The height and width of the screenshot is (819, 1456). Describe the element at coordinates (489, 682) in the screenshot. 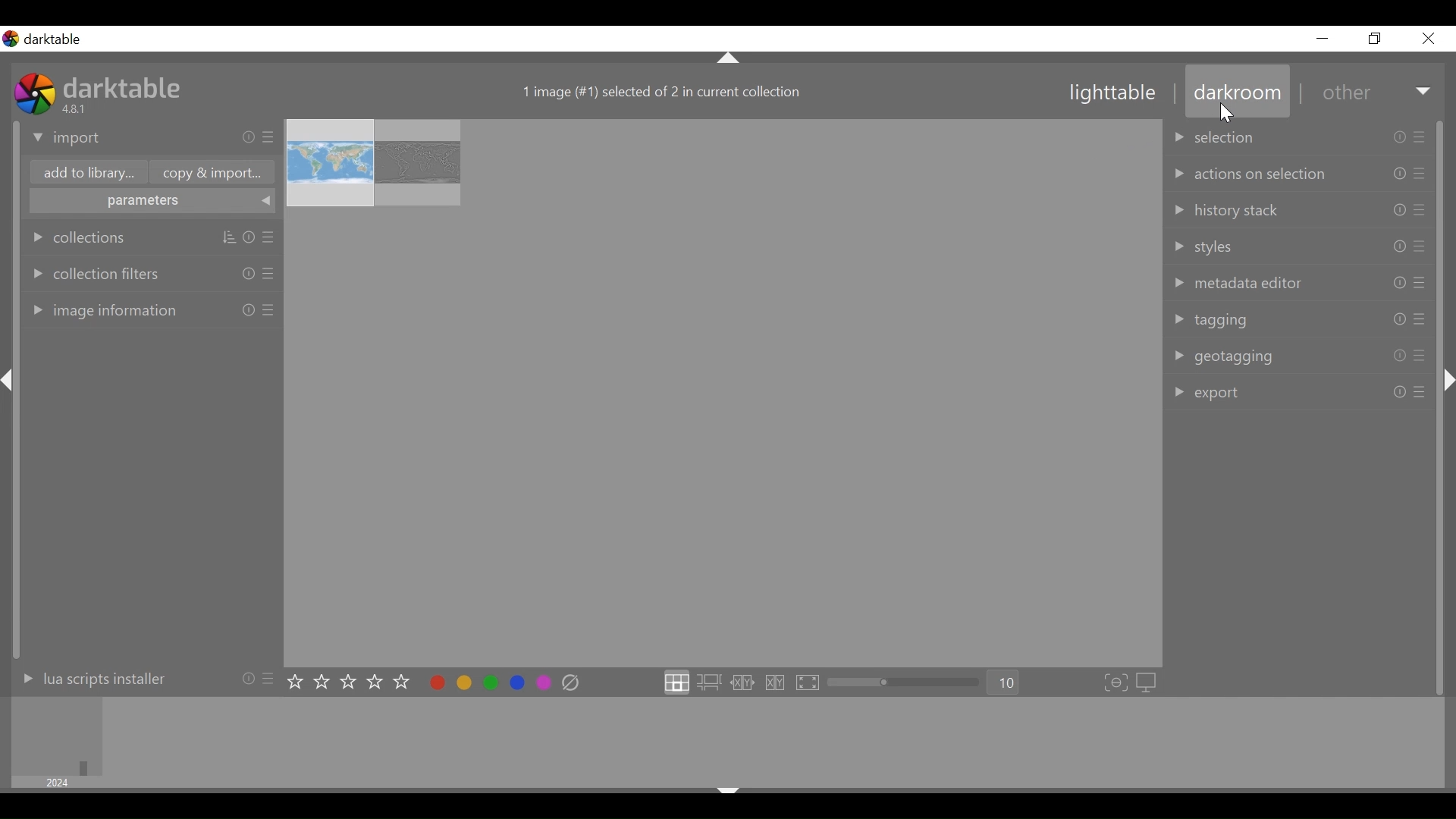

I see `toggle color labeling` at that location.